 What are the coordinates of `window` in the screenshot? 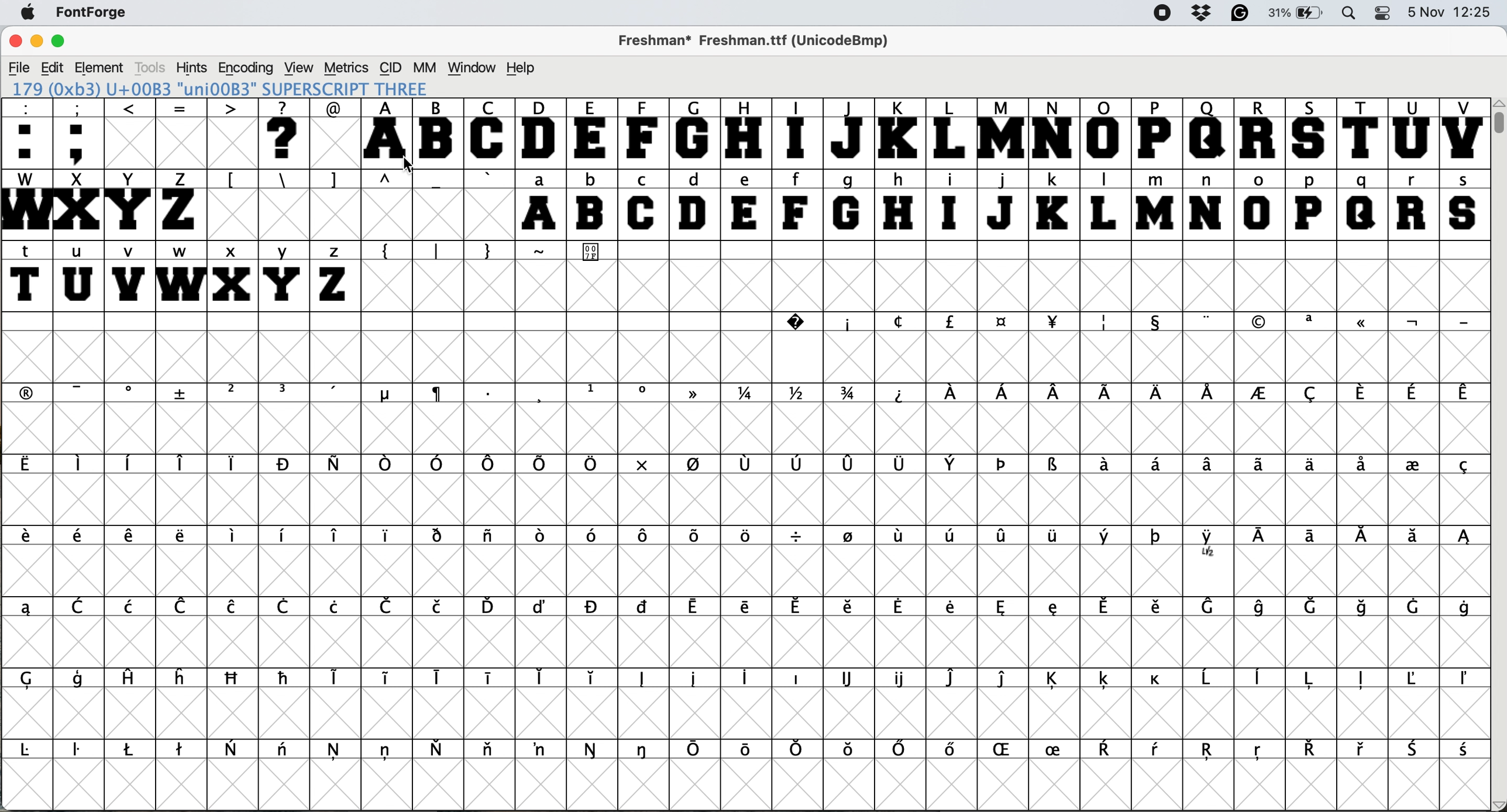 It's located at (473, 66).